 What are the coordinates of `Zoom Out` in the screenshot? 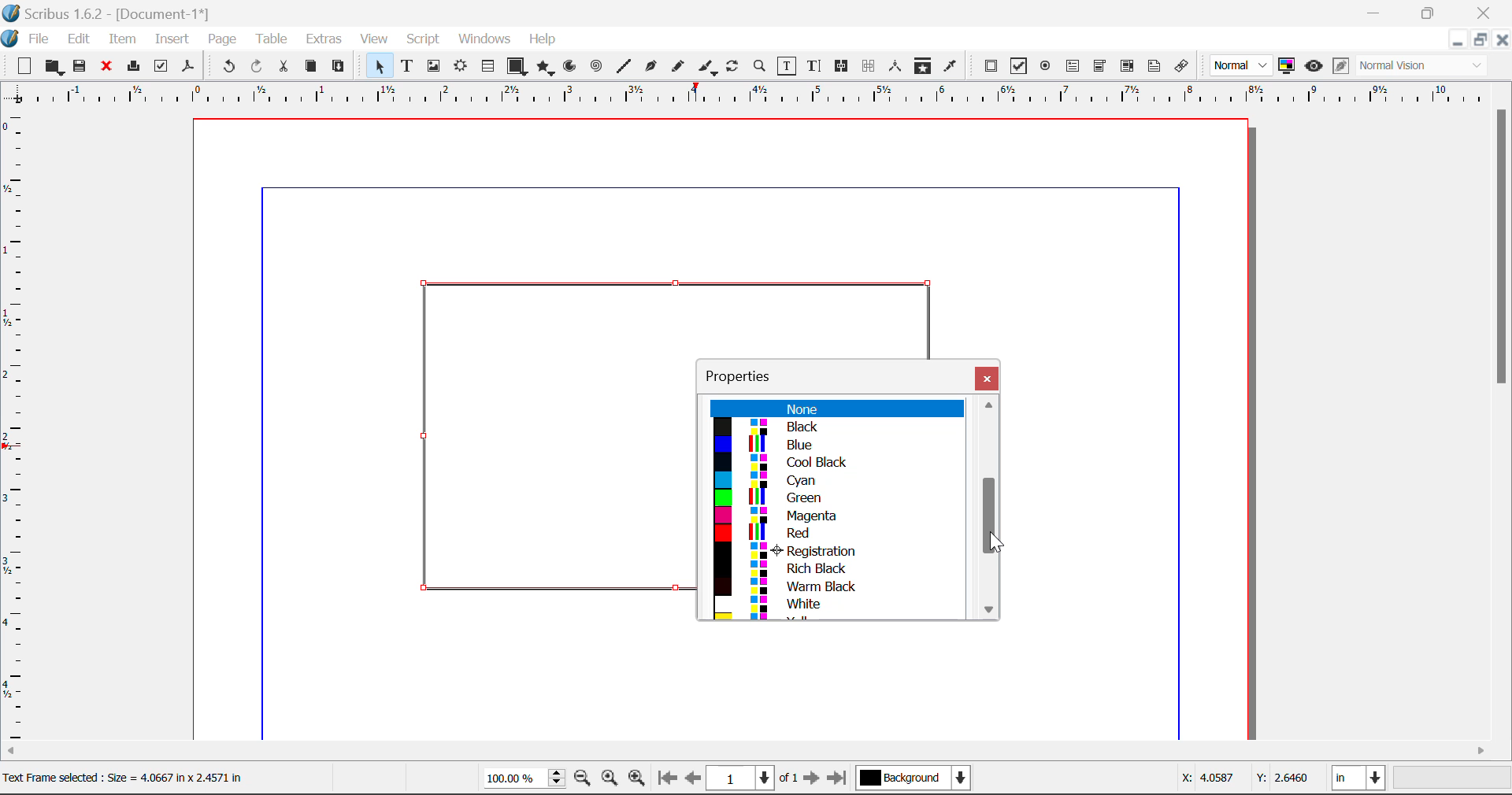 It's located at (584, 780).